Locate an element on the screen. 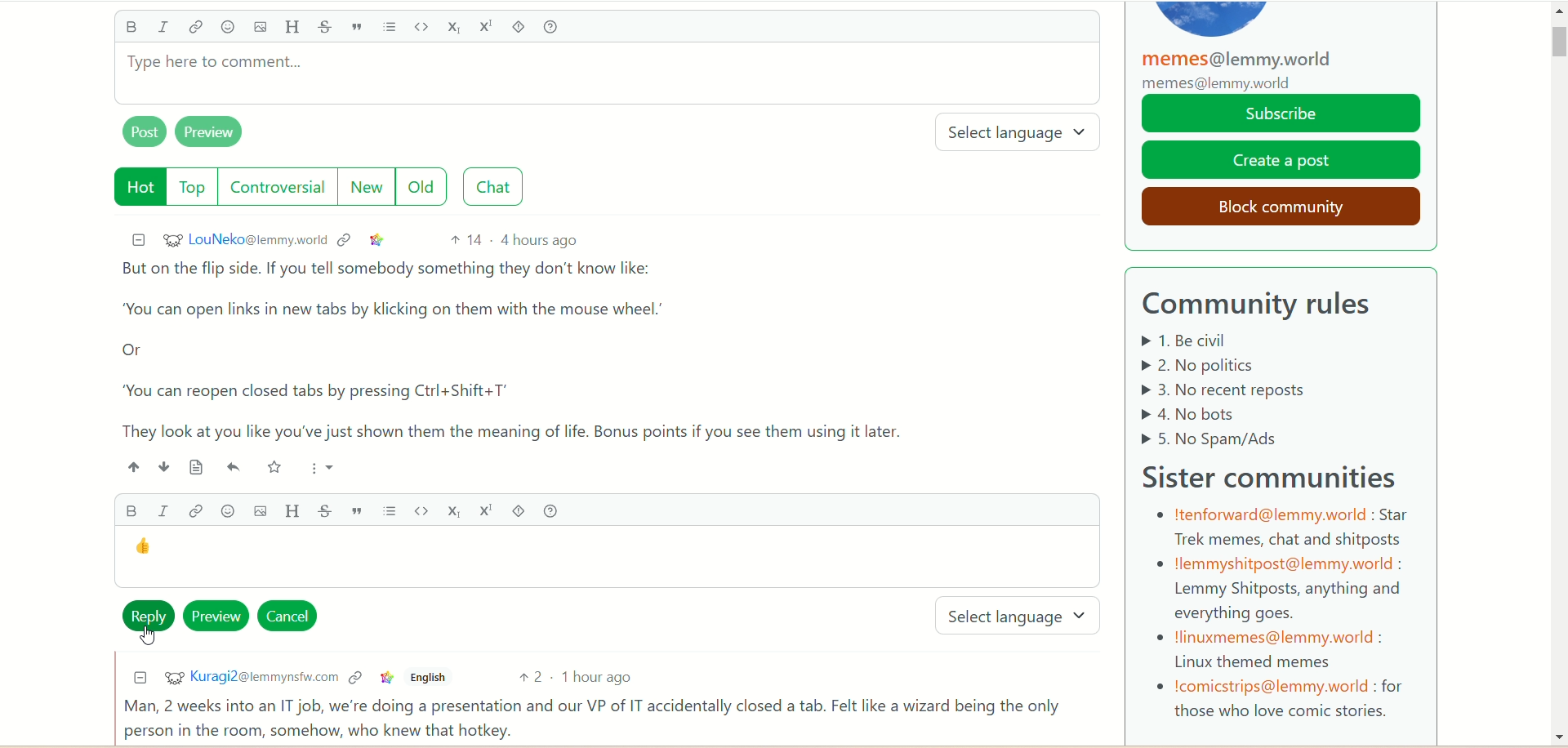  14 votes up is located at coordinates (465, 240).